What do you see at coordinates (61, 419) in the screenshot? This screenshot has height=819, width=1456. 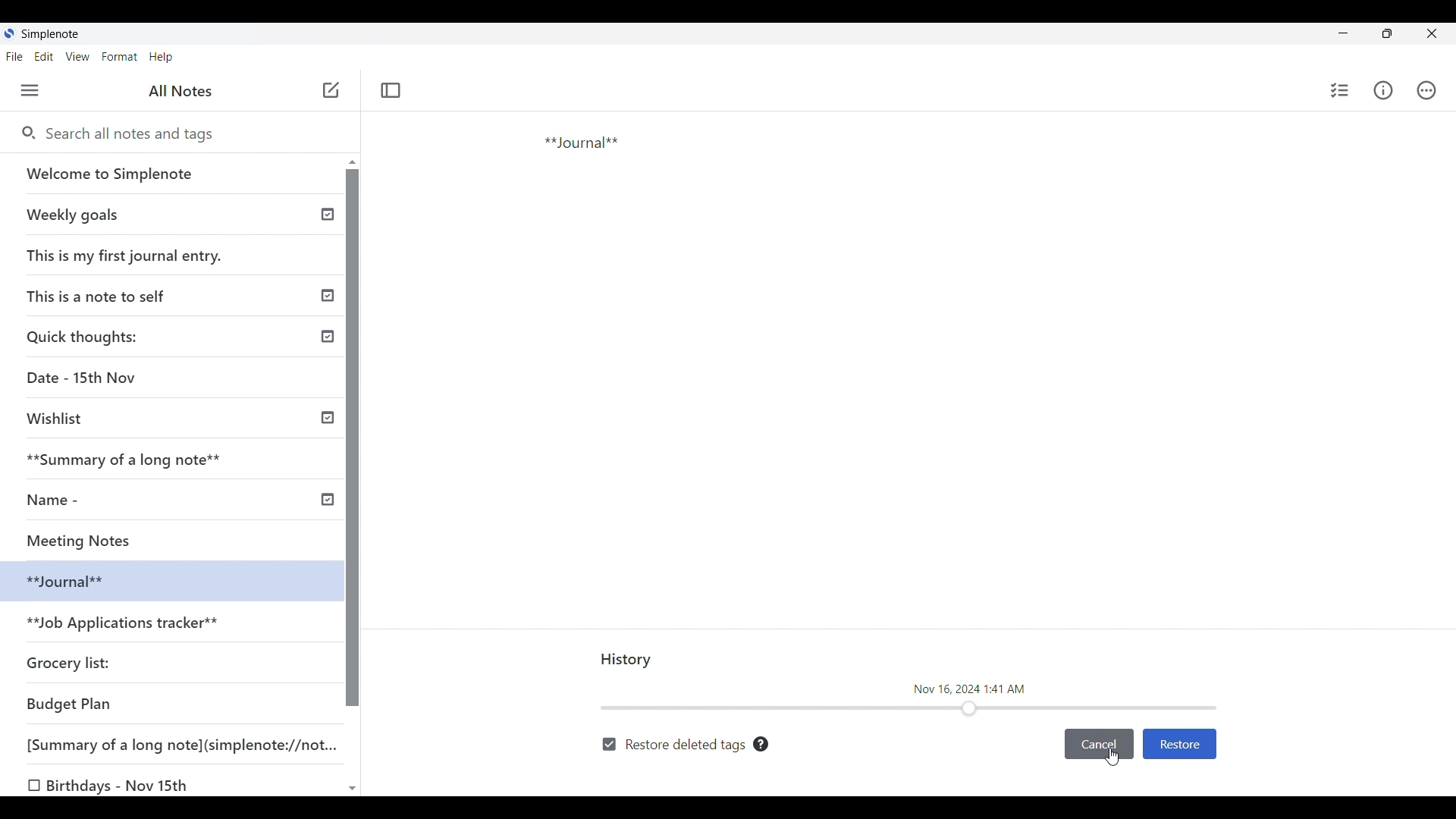 I see `Wishlist` at bounding box center [61, 419].